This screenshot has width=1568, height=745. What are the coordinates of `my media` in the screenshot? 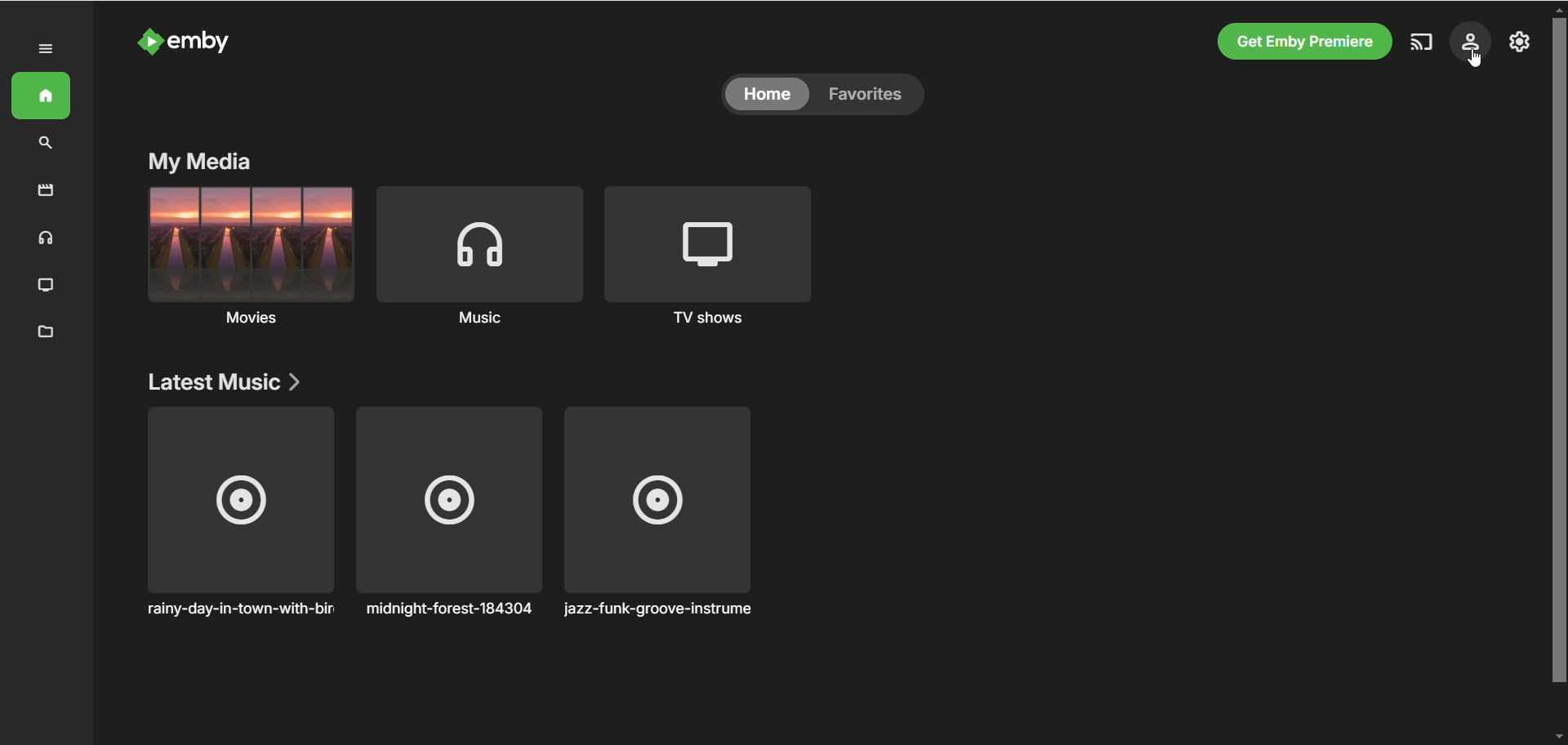 It's located at (198, 162).